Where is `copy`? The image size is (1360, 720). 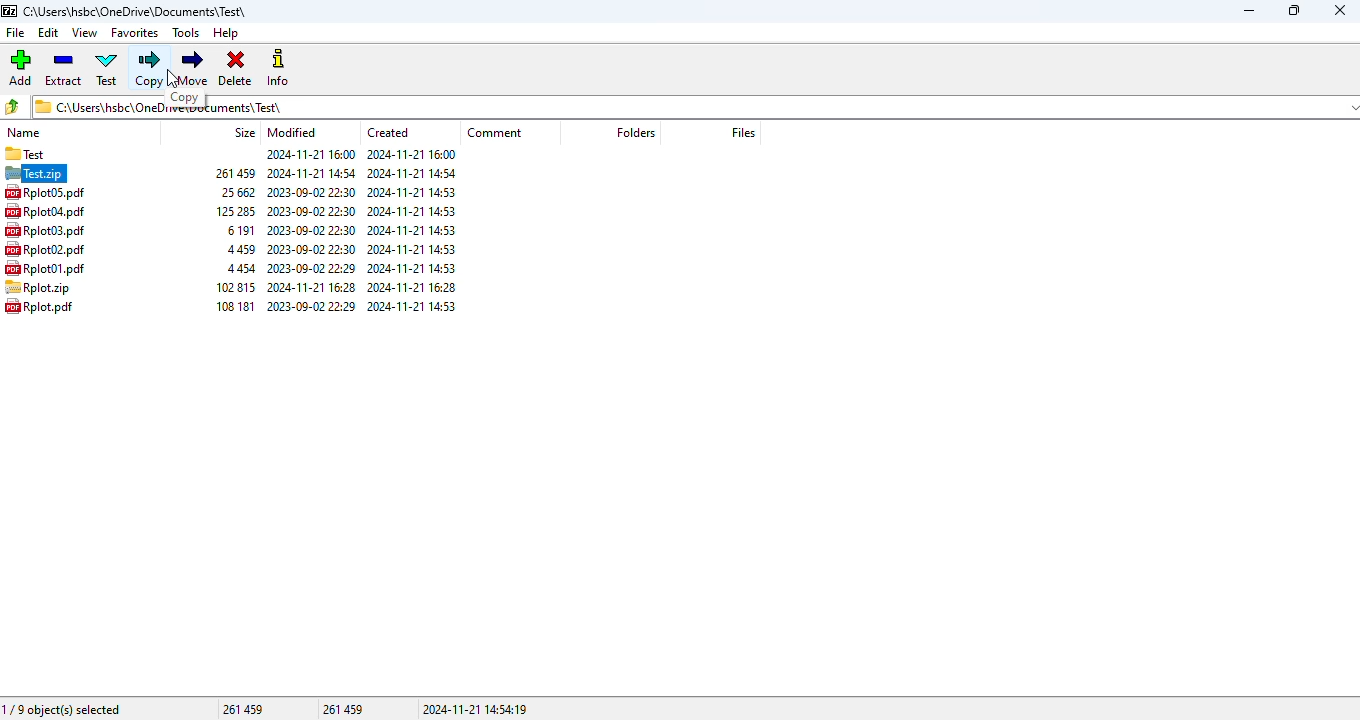 copy is located at coordinates (150, 68).